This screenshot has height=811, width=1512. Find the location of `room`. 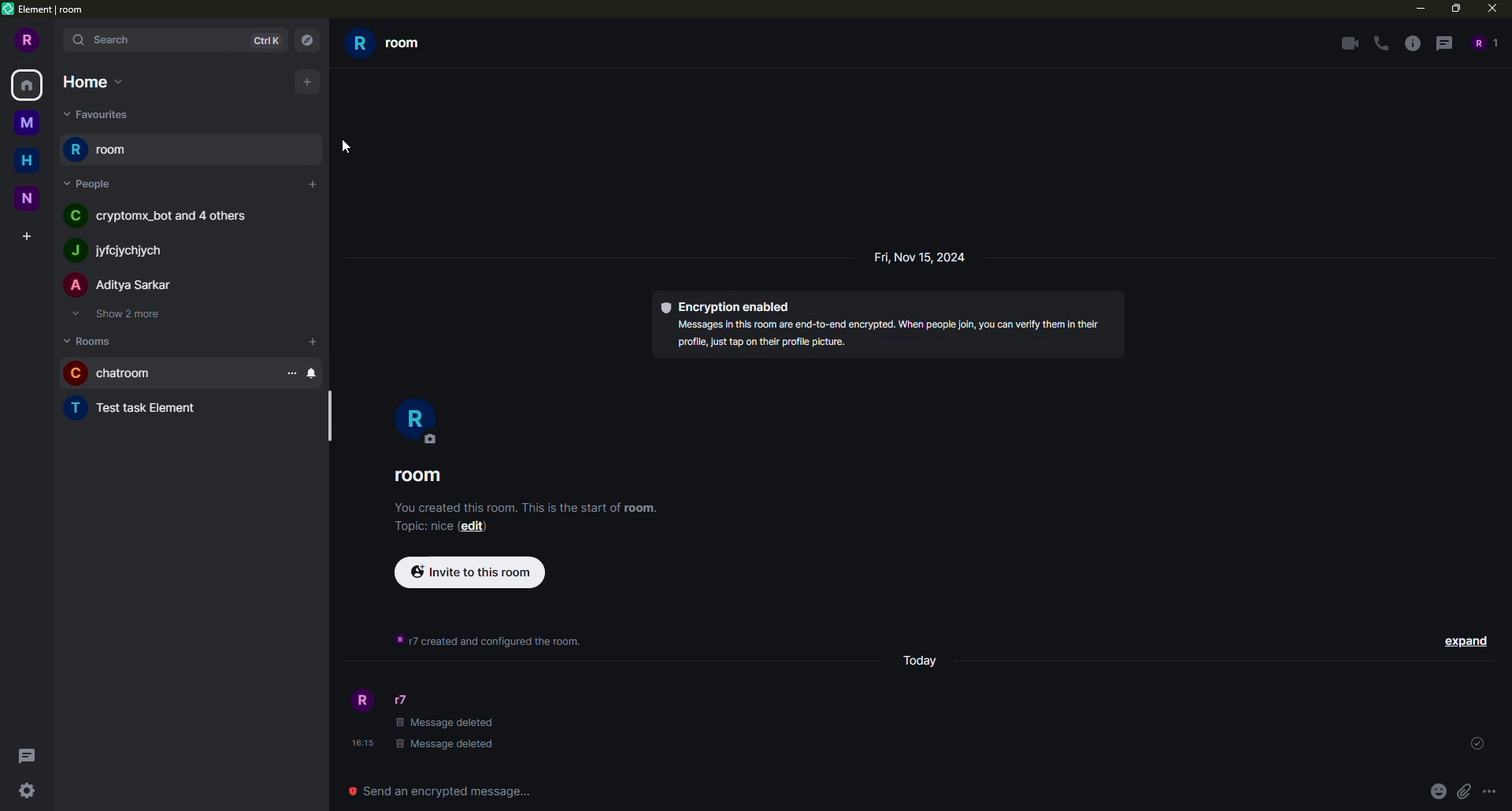

room is located at coordinates (422, 476).